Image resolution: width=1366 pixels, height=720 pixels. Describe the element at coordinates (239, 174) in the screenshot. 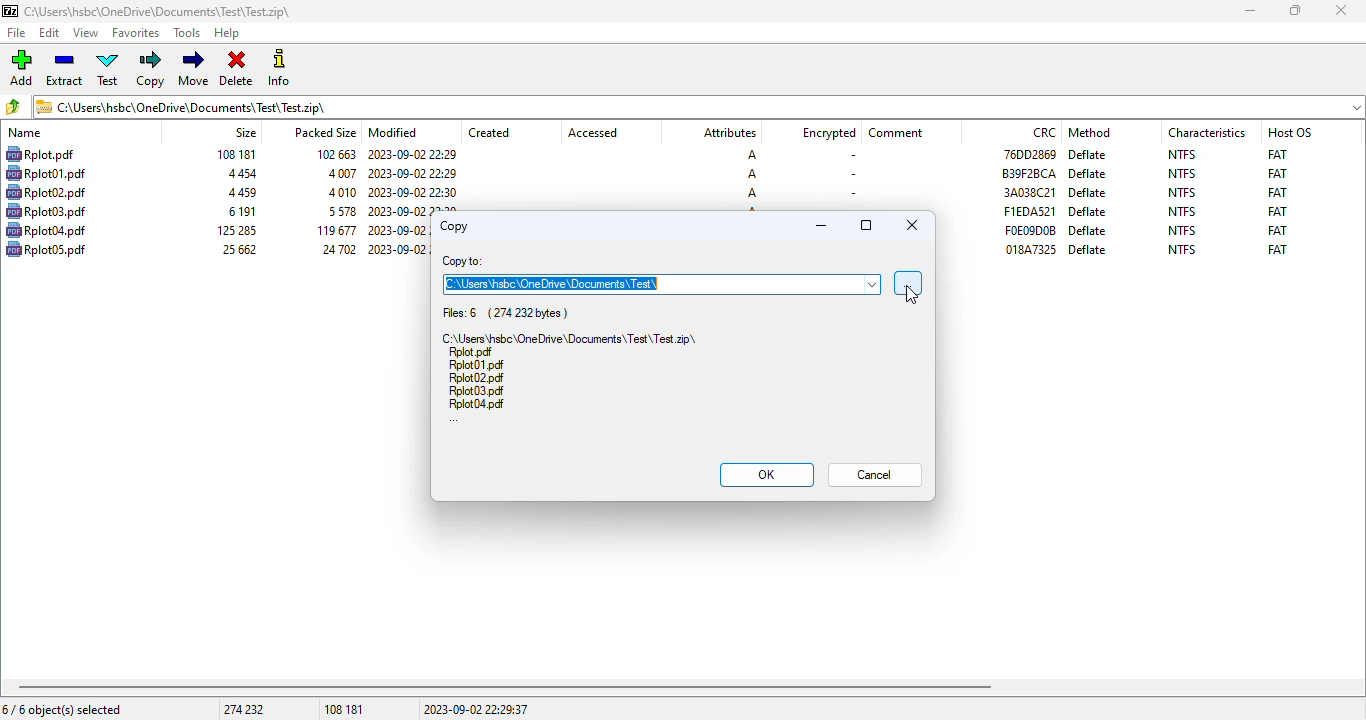

I see `size` at that location.